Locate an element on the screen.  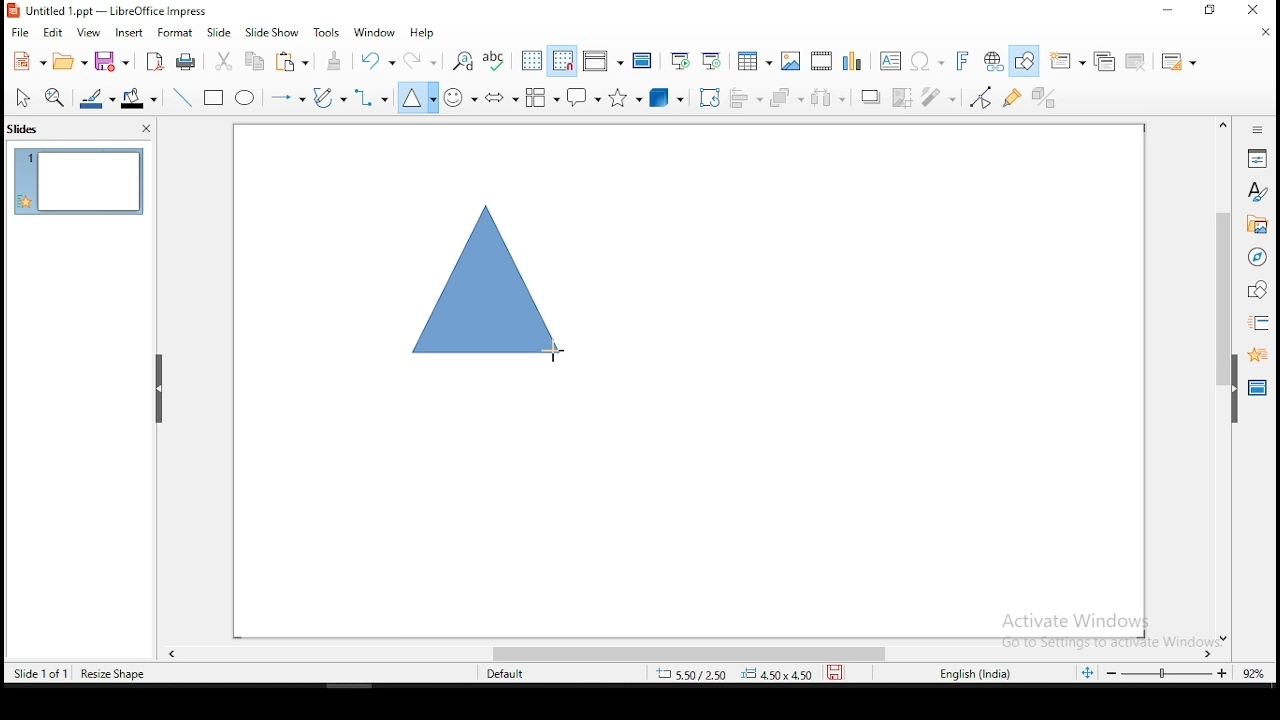
Cursor is located at coordinates (553, 352).